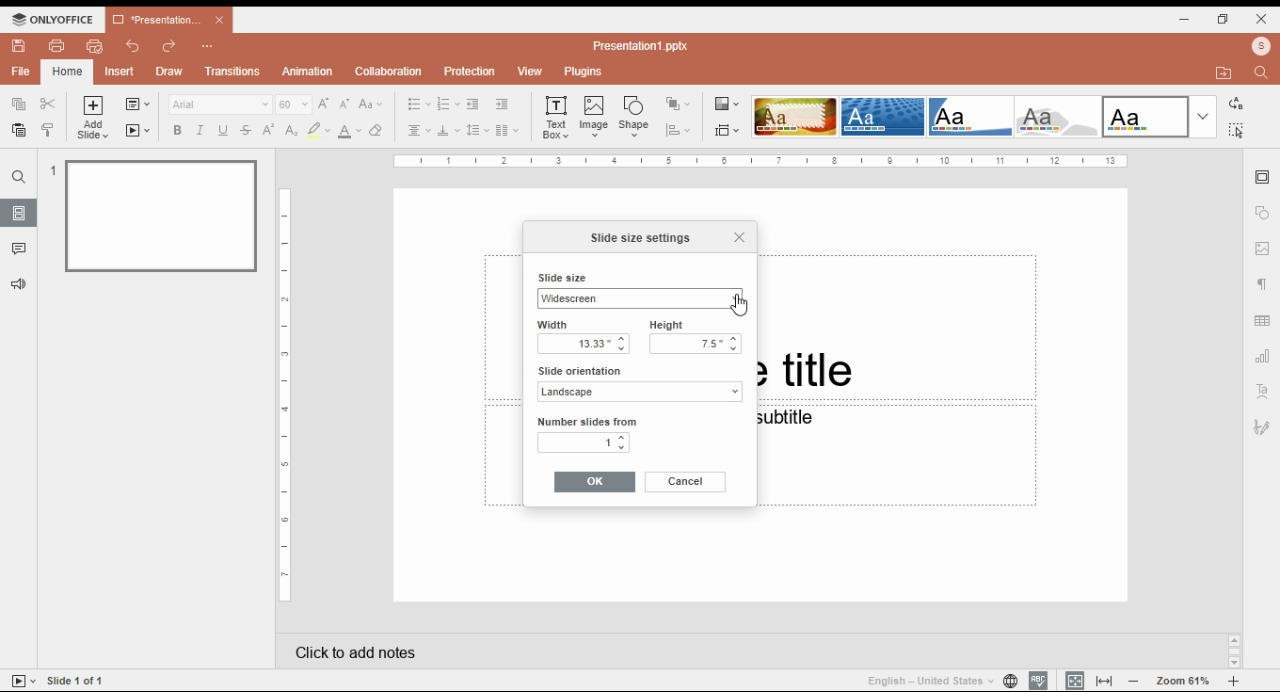 The width and height of the screenshot is (1280, 692). I want to click on number slide from, so click(588, 421).